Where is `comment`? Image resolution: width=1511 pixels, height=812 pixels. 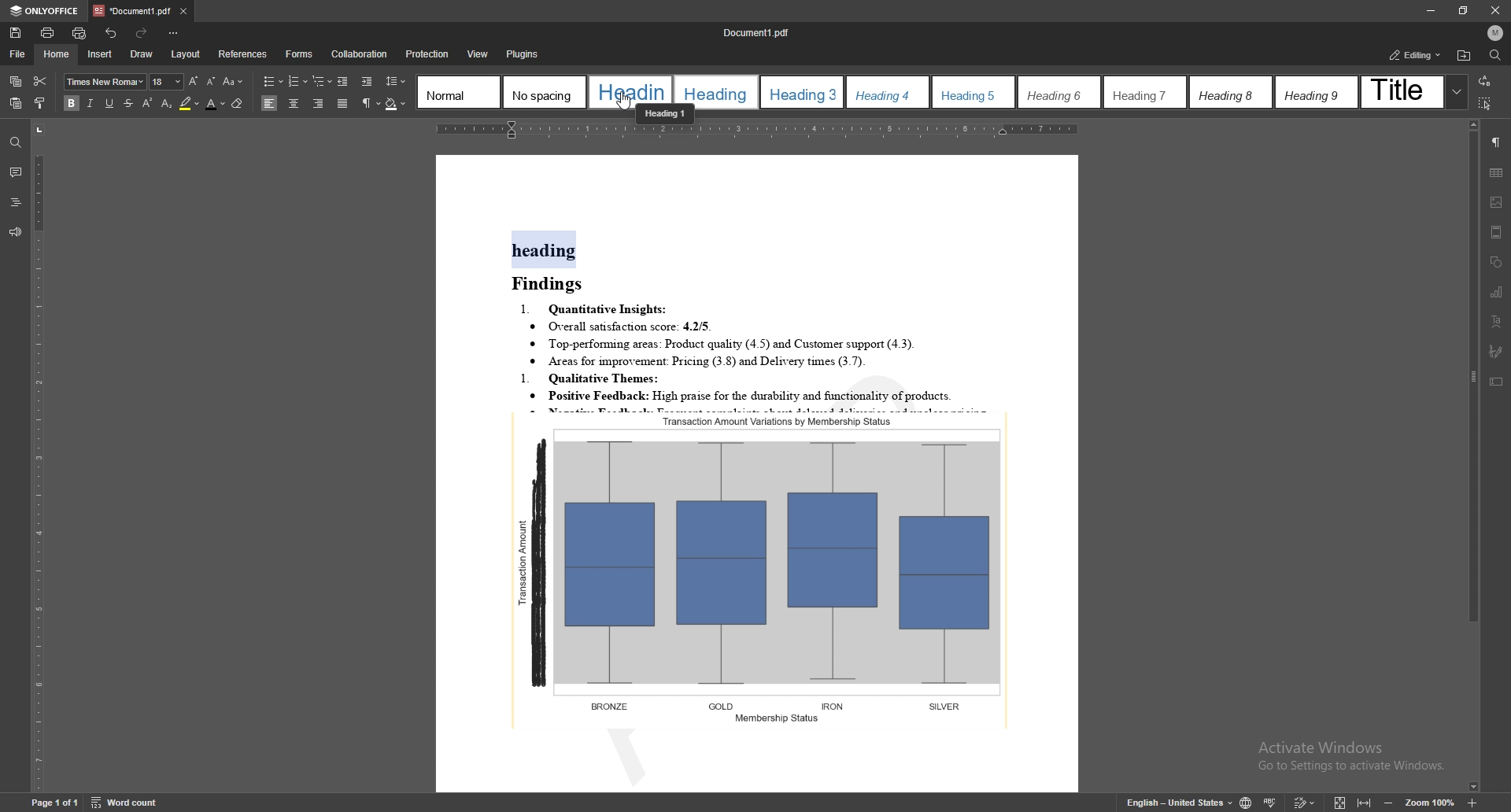
comment is located at coordinates (15, 172).